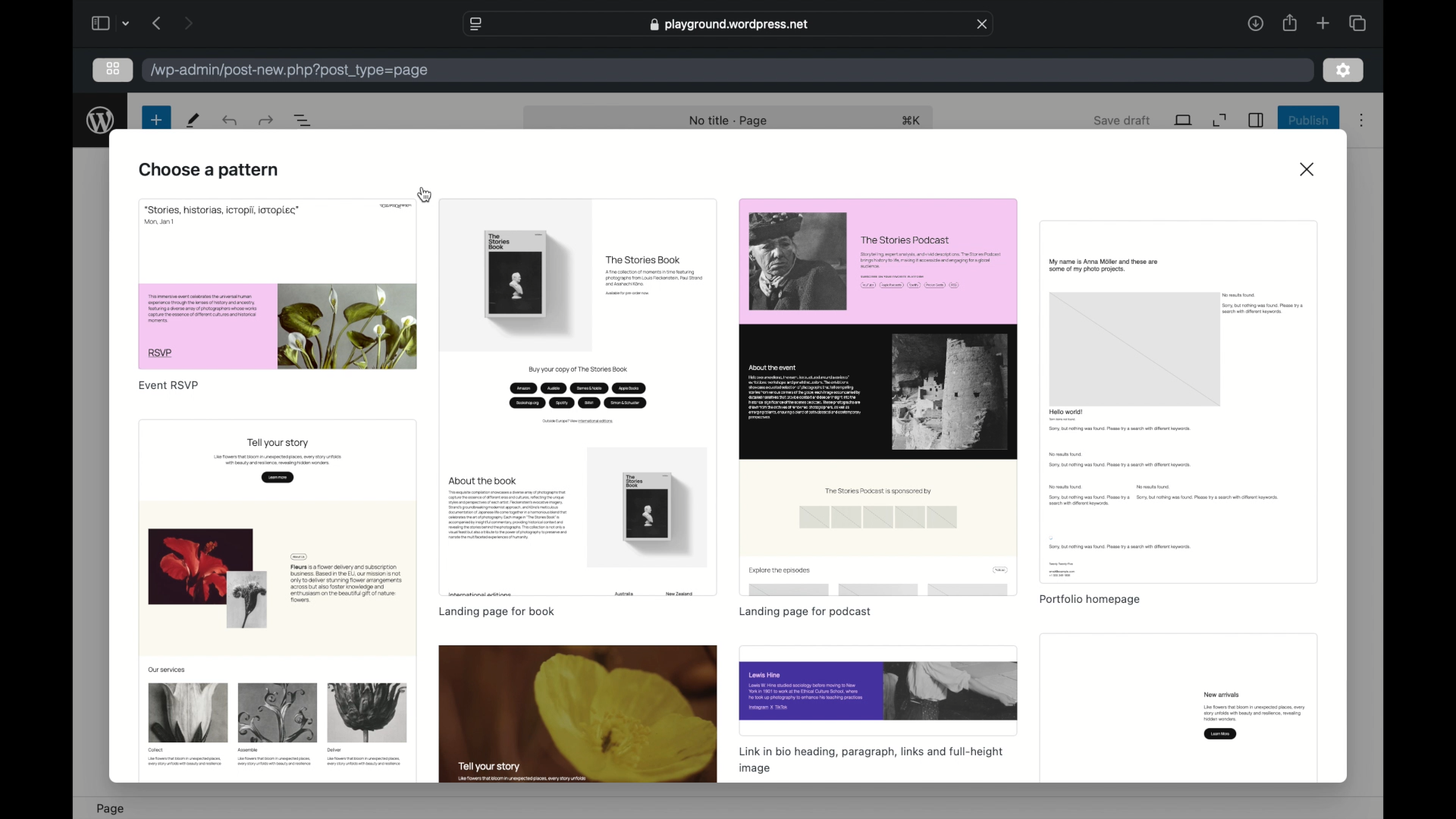 The height and width of the screenshot is (819, 1456). Describe the element at coordinates (1177, 709) in the screenshot. I see `template preview` at that location.